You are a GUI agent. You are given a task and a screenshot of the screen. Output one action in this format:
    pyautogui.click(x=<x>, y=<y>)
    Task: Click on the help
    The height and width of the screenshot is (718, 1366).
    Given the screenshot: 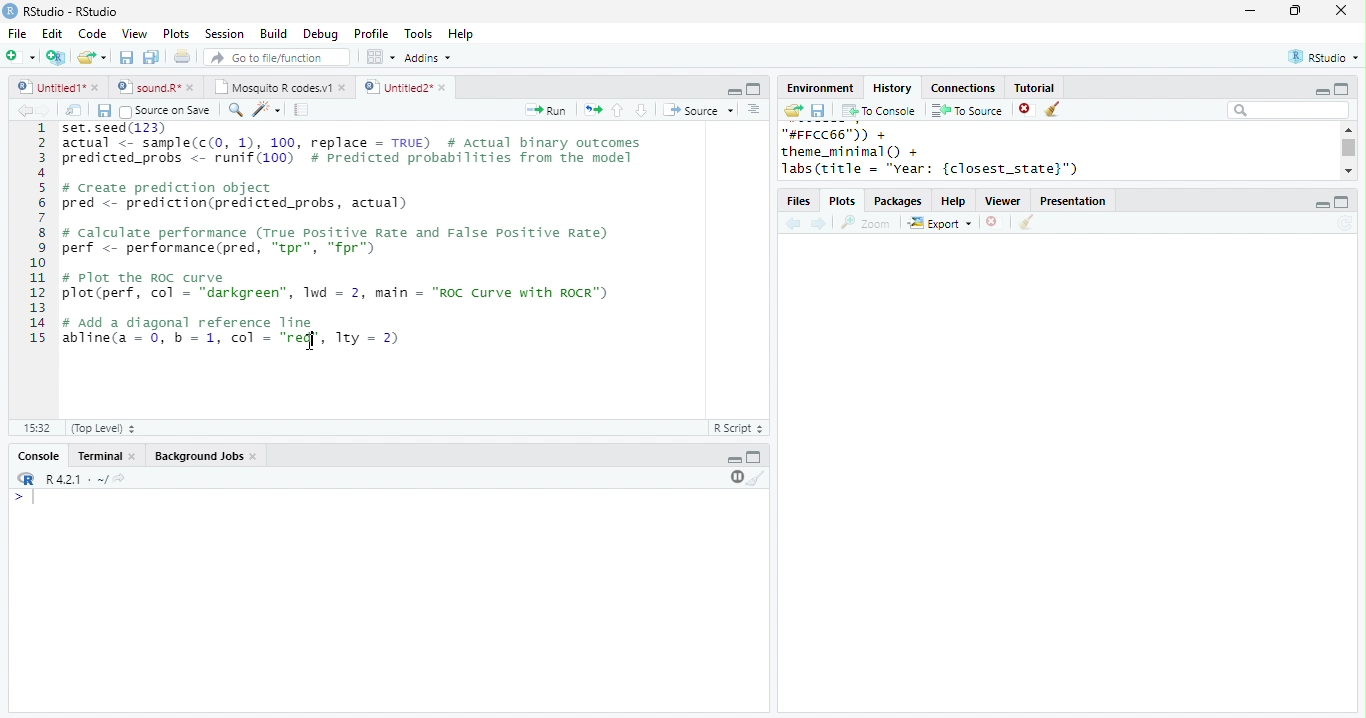 What is the action you would take?
    pyautogui.click(x=954, y=202)
    